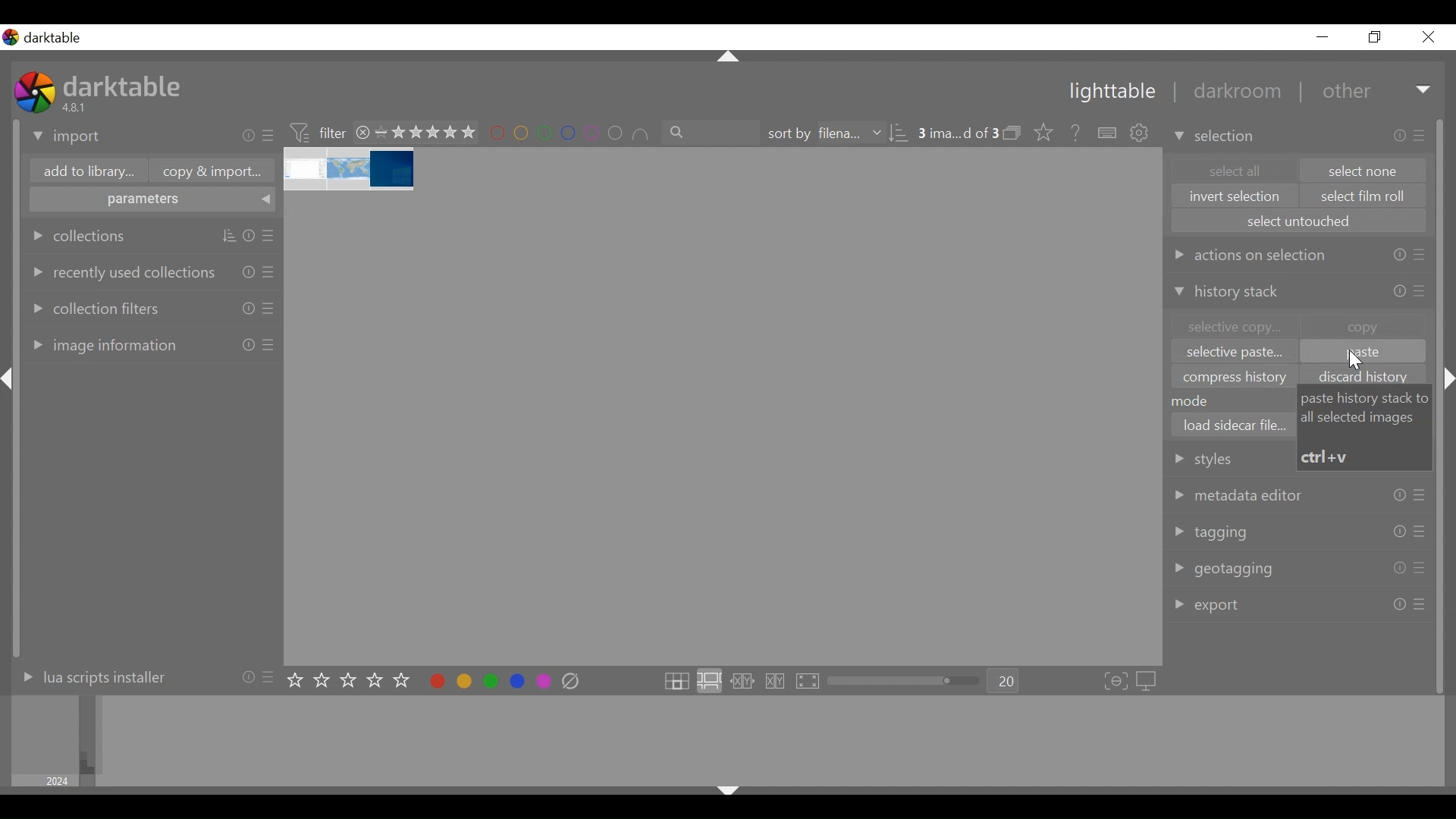 This screenshot has width=1456, height=819. I want to click on logo, so click(35, 92).